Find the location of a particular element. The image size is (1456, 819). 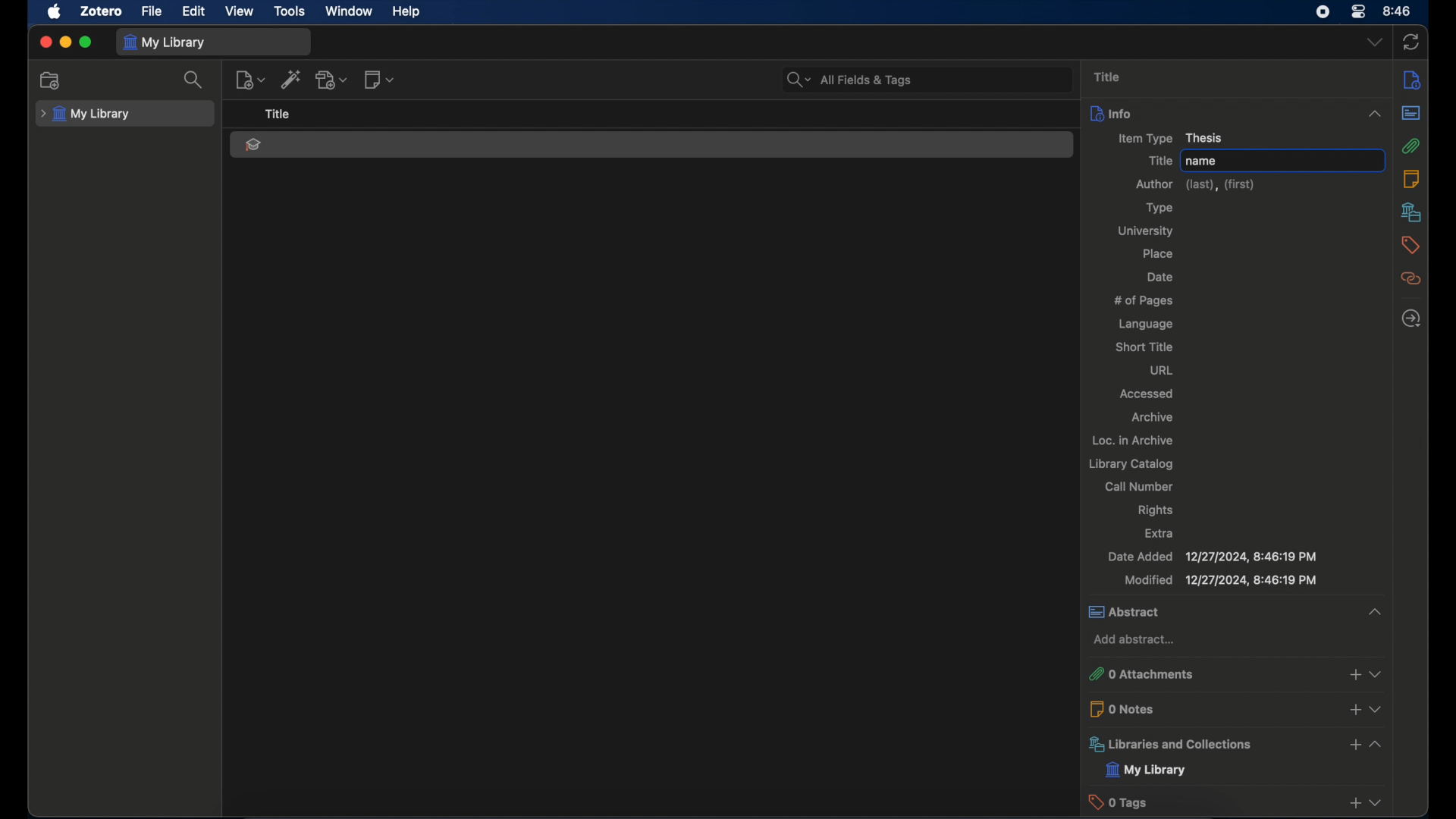

my library is located at coordinates (86, 115).